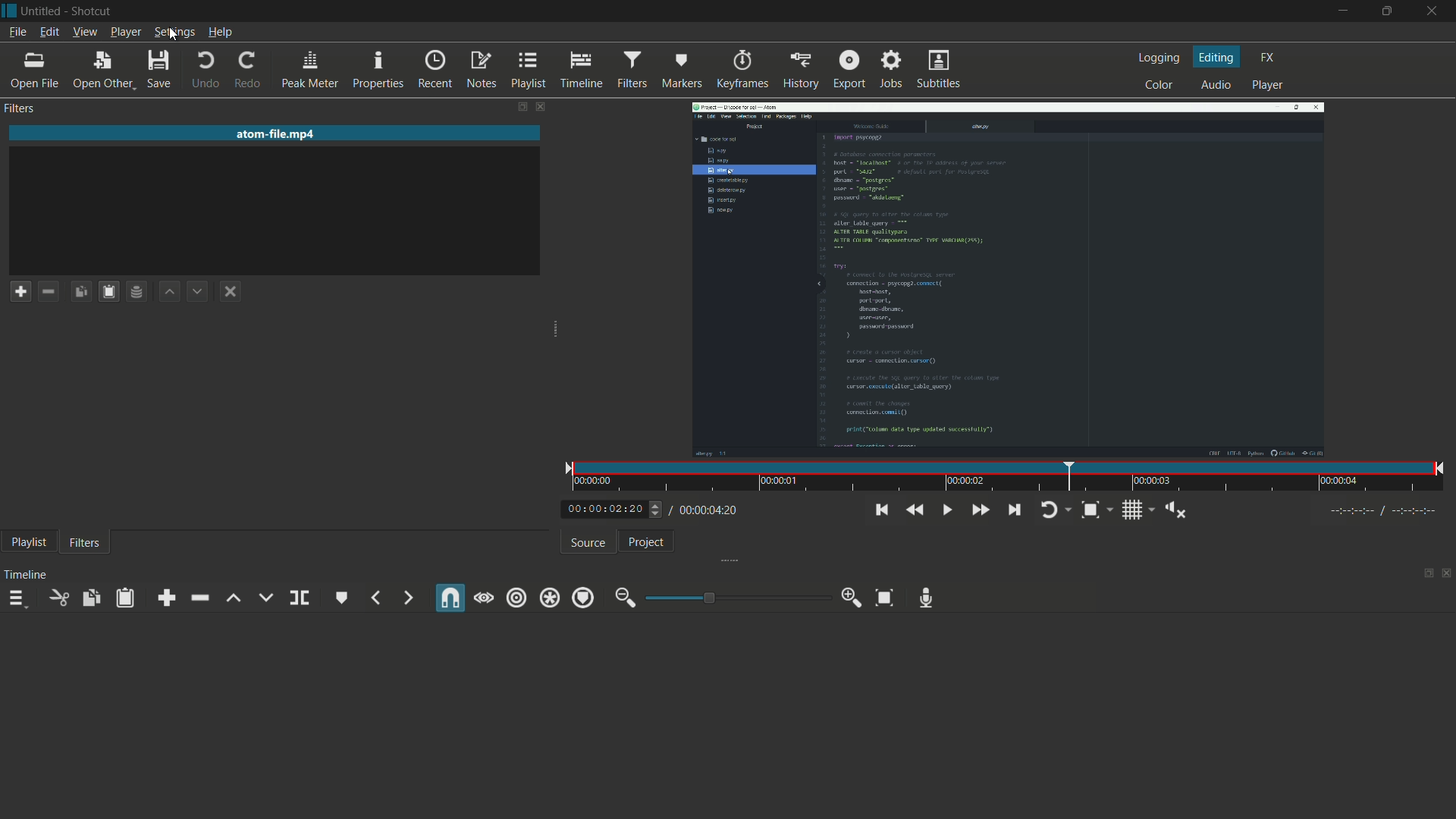 The height and width of the screenshot is (819, 1456). Describe the element at coordinates (657, 510) in the screenshot. I see `` at that location.